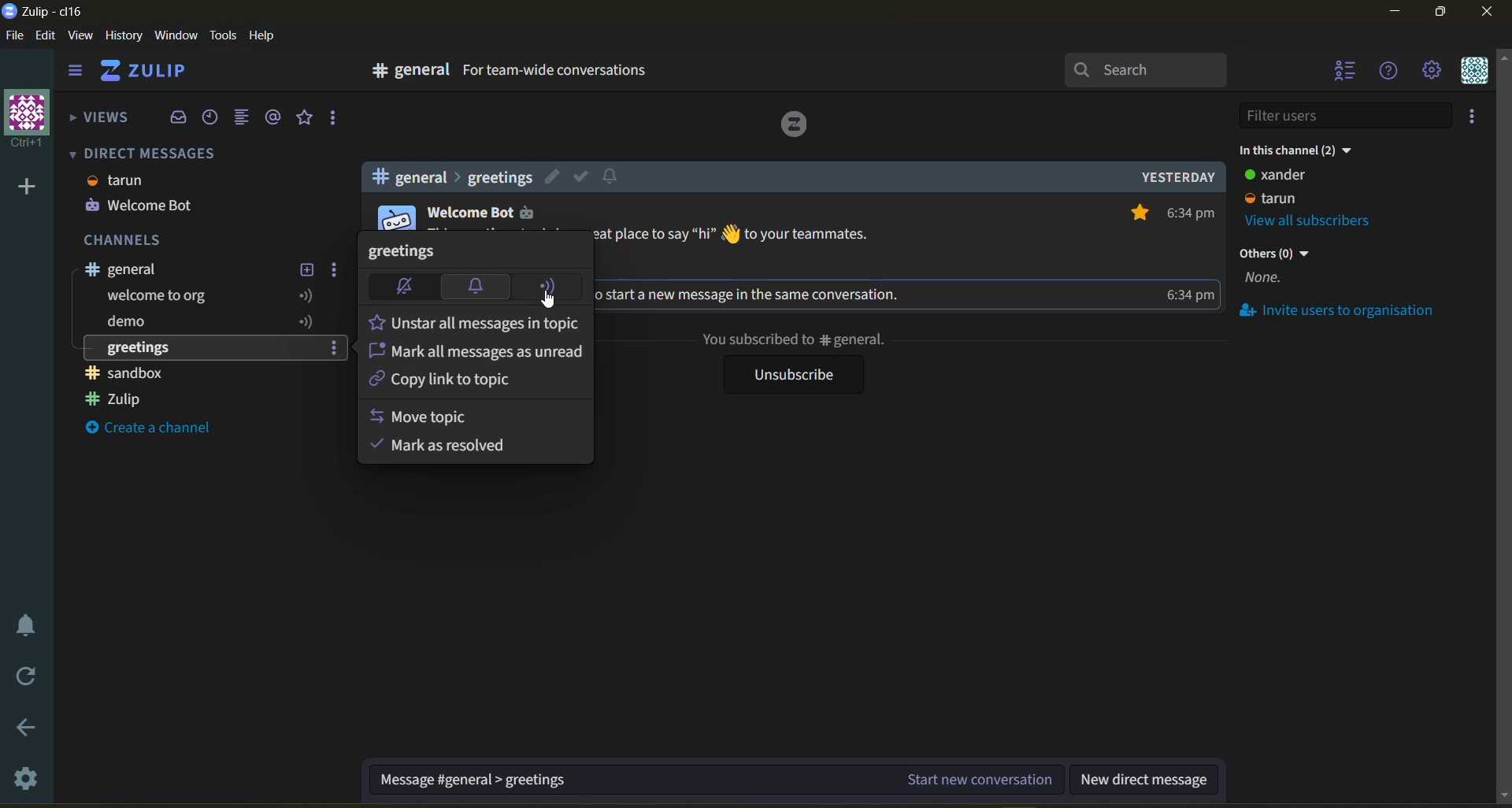 Image resolution: width=1512 pixels, height=808 pixels. Describe the element at coordinates (1436, 72) in the screenshot. I see `main menu` at that location.